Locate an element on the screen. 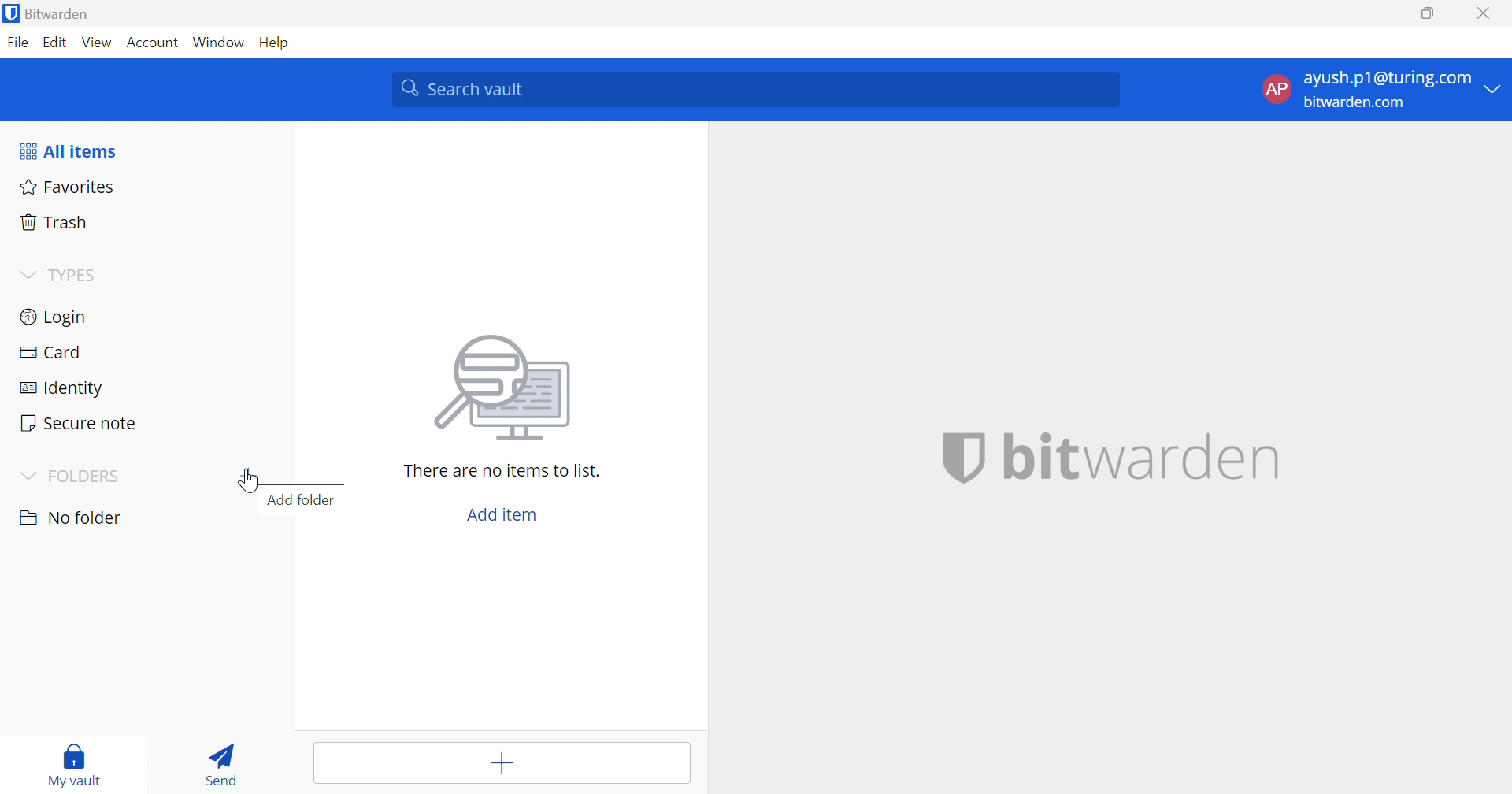 The height and width of the screenshot is (794, 1512). No Folder is located at coordinates (69, 520).